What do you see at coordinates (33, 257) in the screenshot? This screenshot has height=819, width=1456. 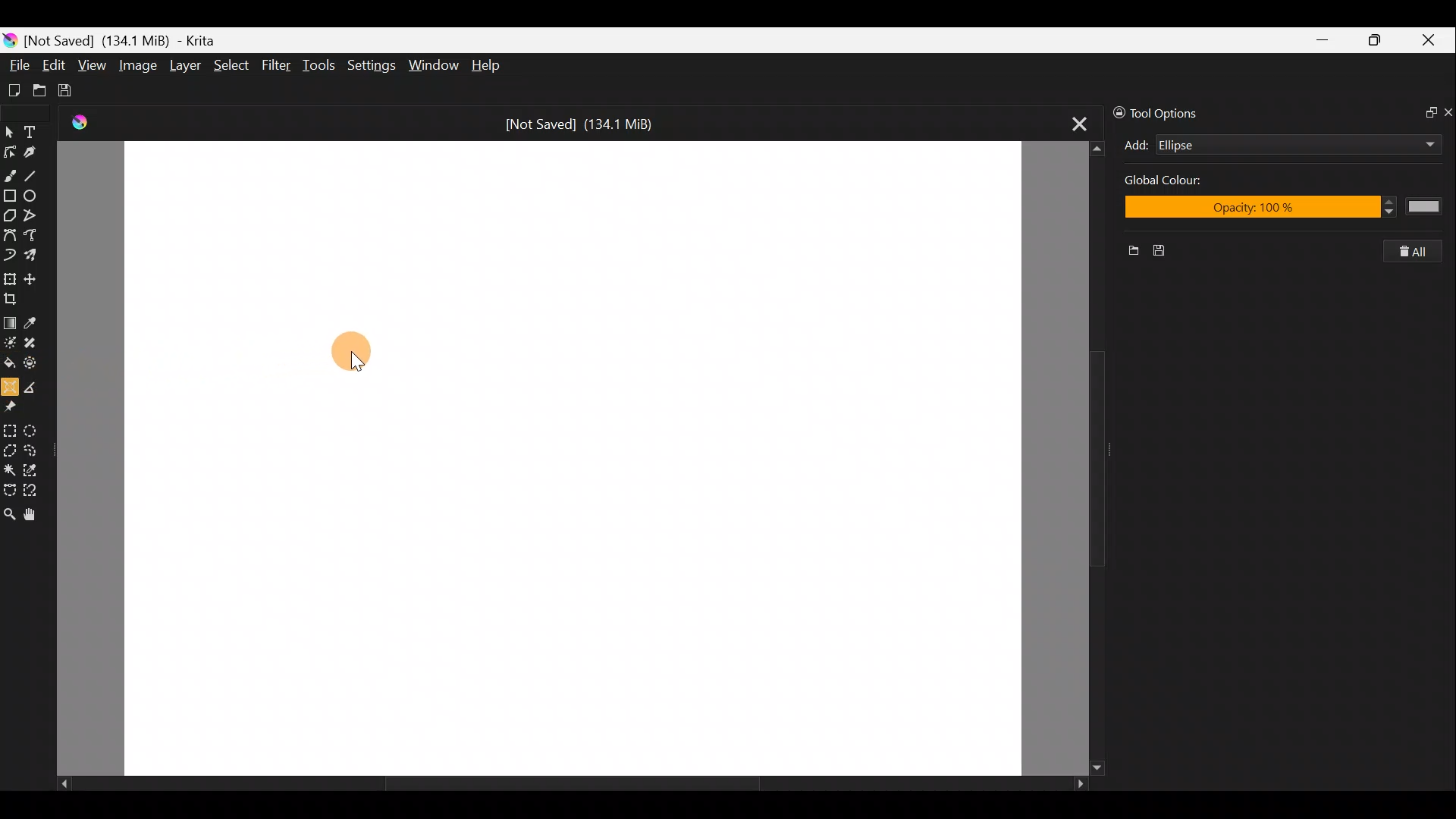 I see `Multibrush tool` at bounding box center [33, 257].